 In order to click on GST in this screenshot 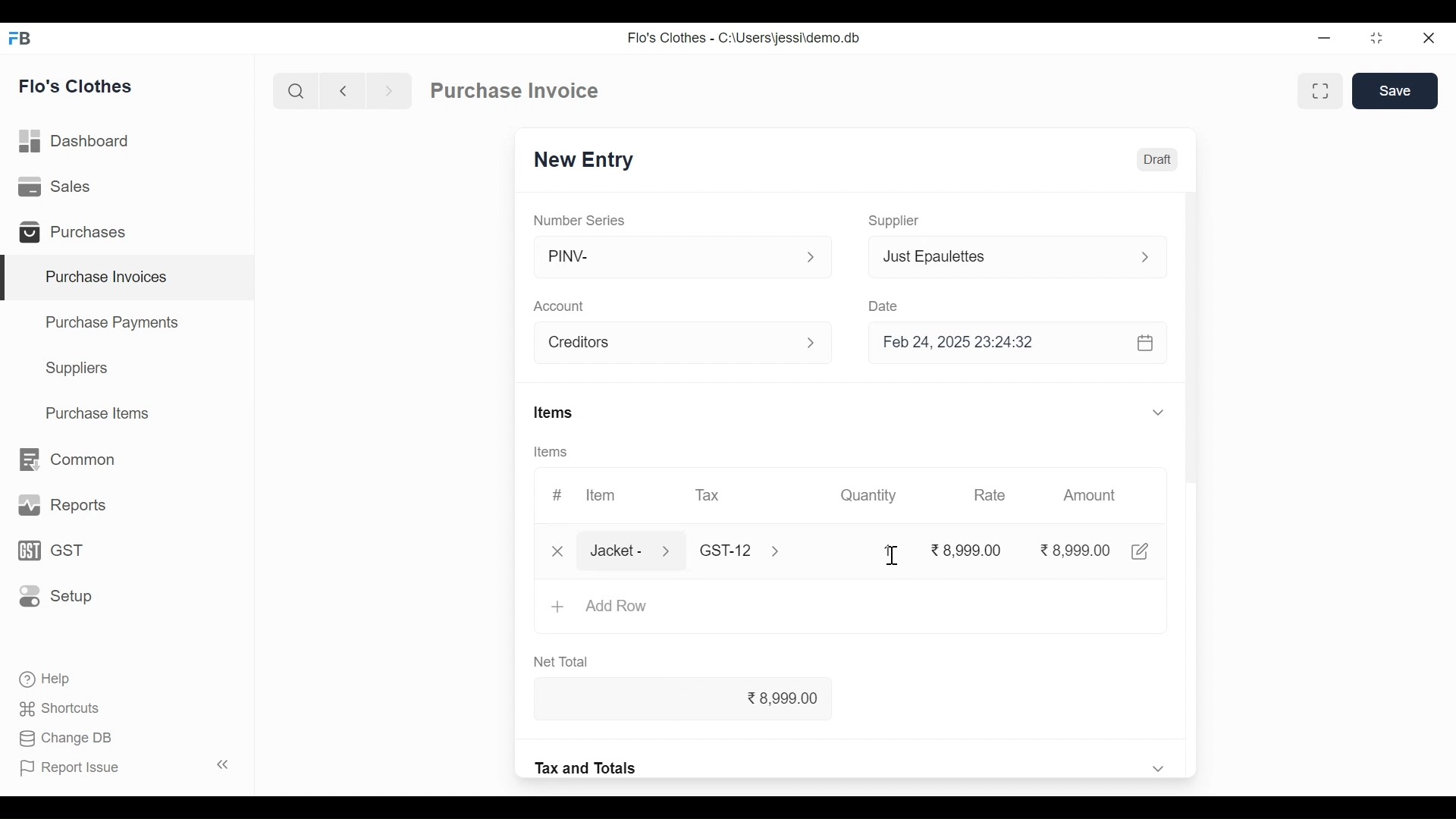, I will do `click(50, 551)`.